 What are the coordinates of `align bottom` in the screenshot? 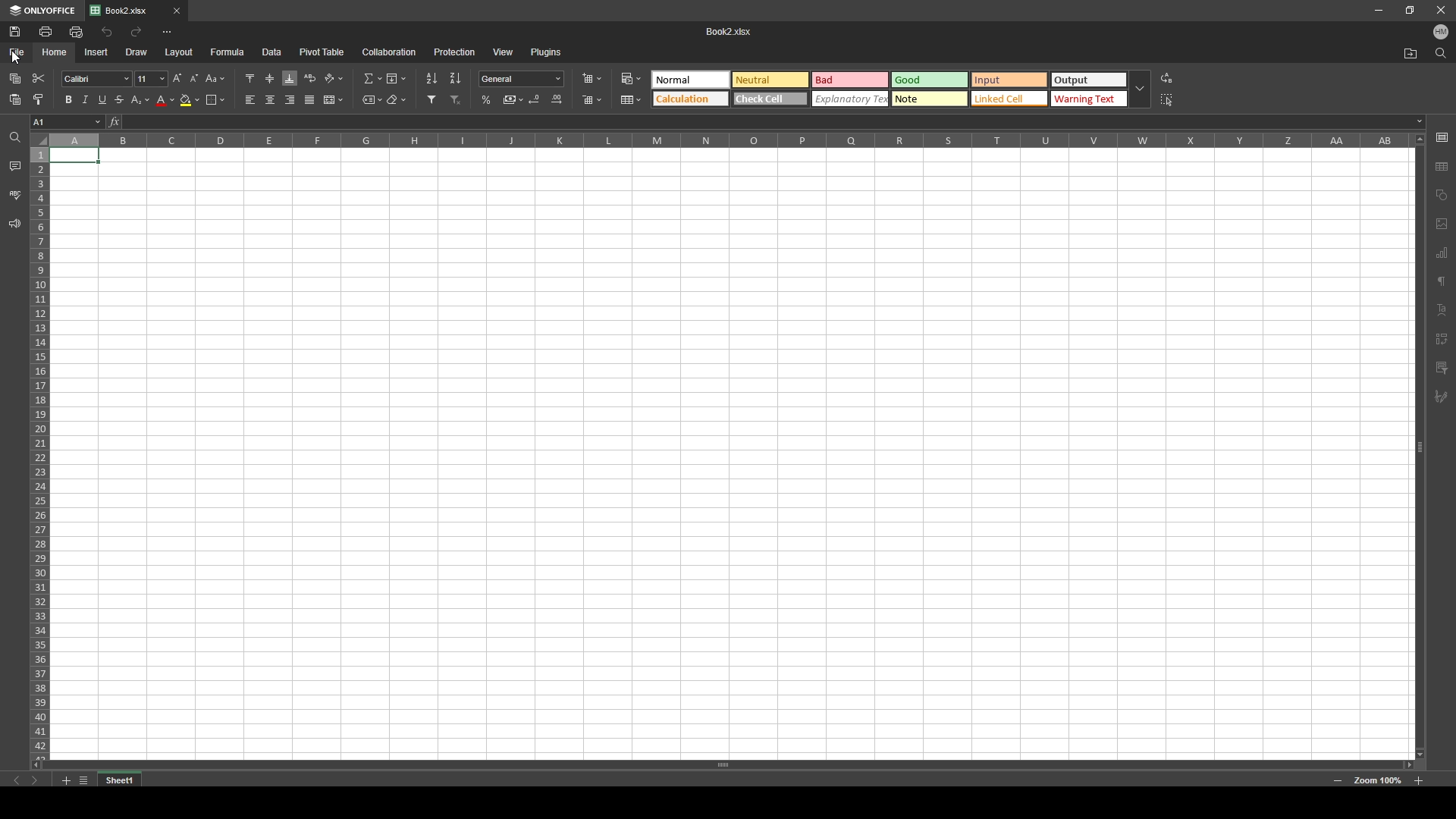 It's located at (290, 78).